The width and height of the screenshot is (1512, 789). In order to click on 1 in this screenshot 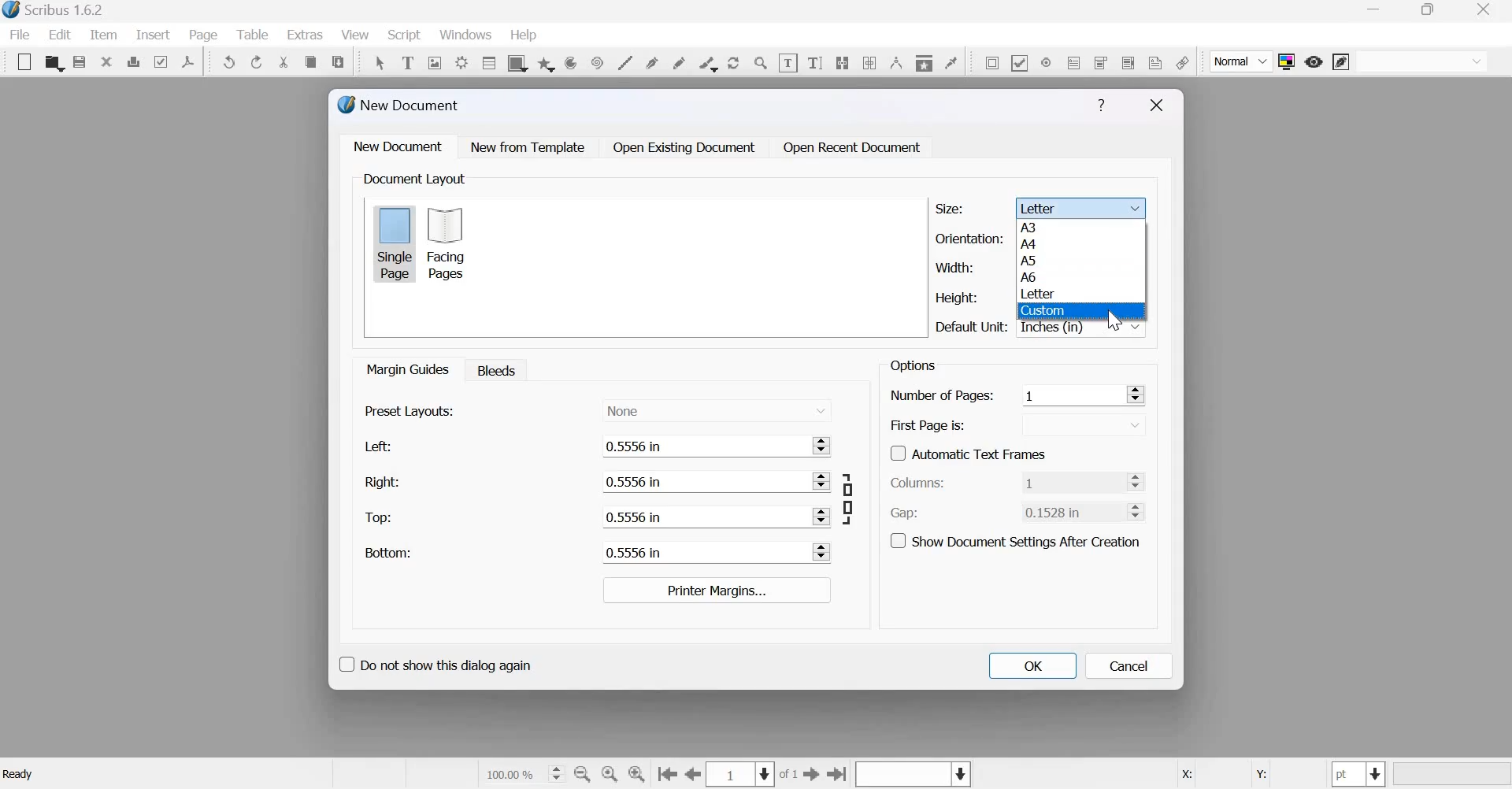, I will do `click(1070, 393)`.